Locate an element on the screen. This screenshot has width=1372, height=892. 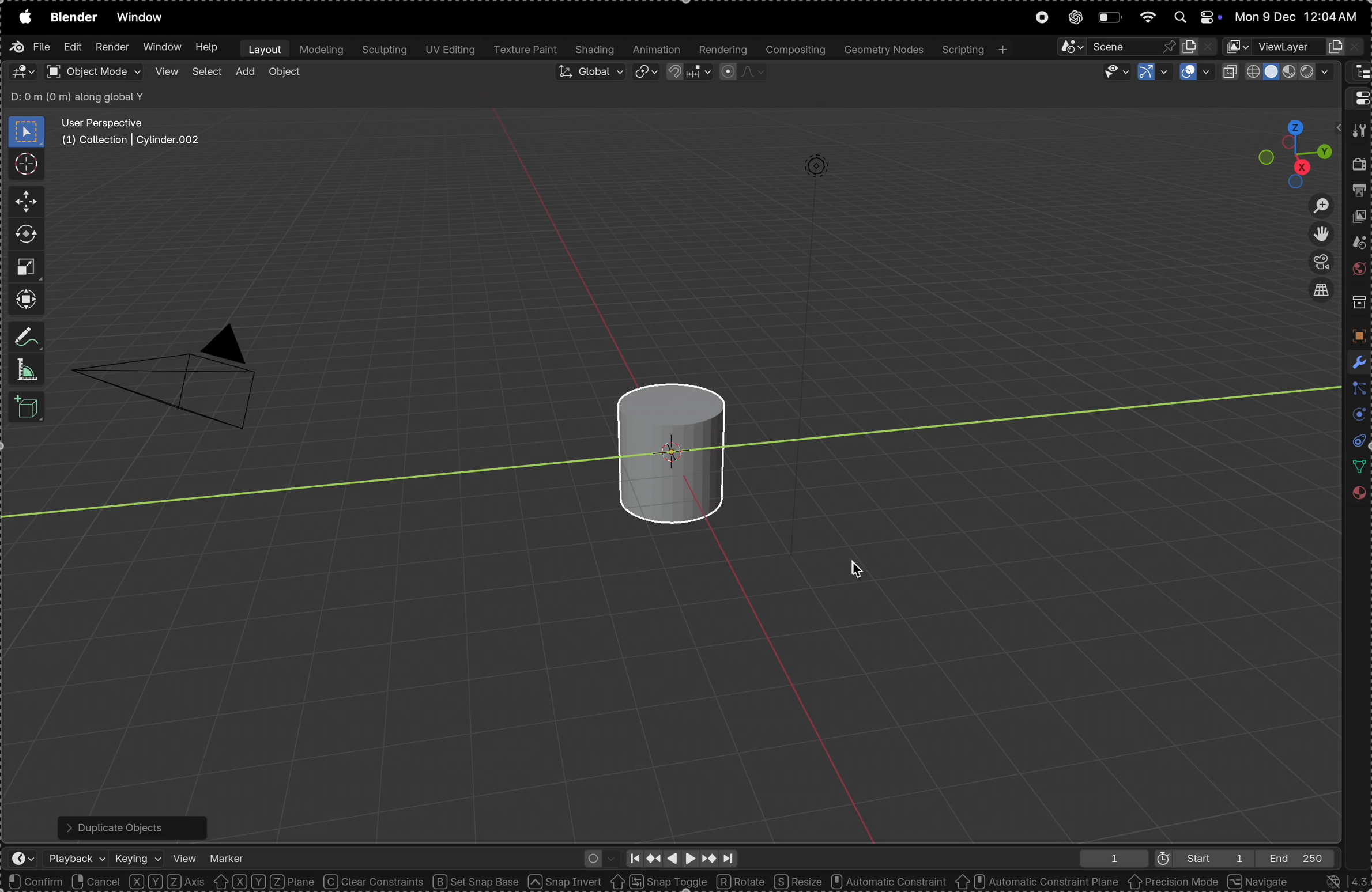
add cube is located at coordinates (29, 409).